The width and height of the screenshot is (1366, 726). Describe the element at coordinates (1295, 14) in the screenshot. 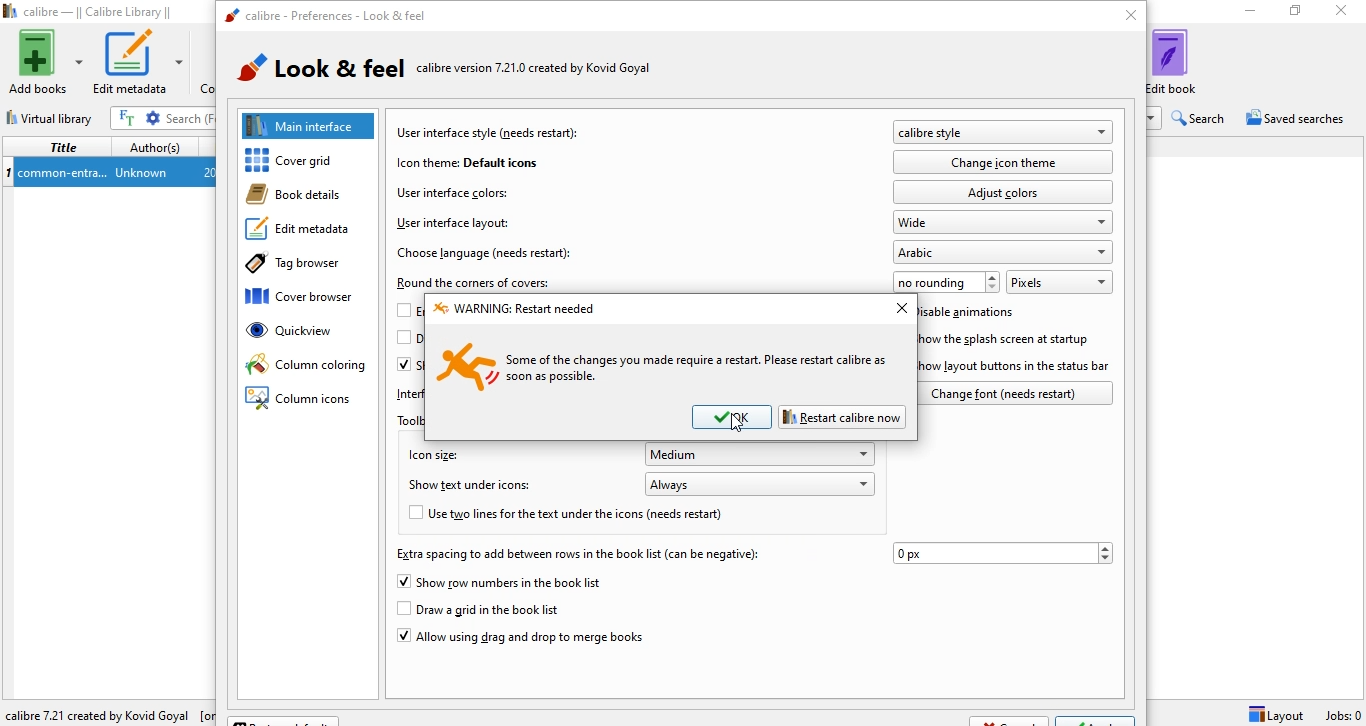

I see `Restore` at that location.